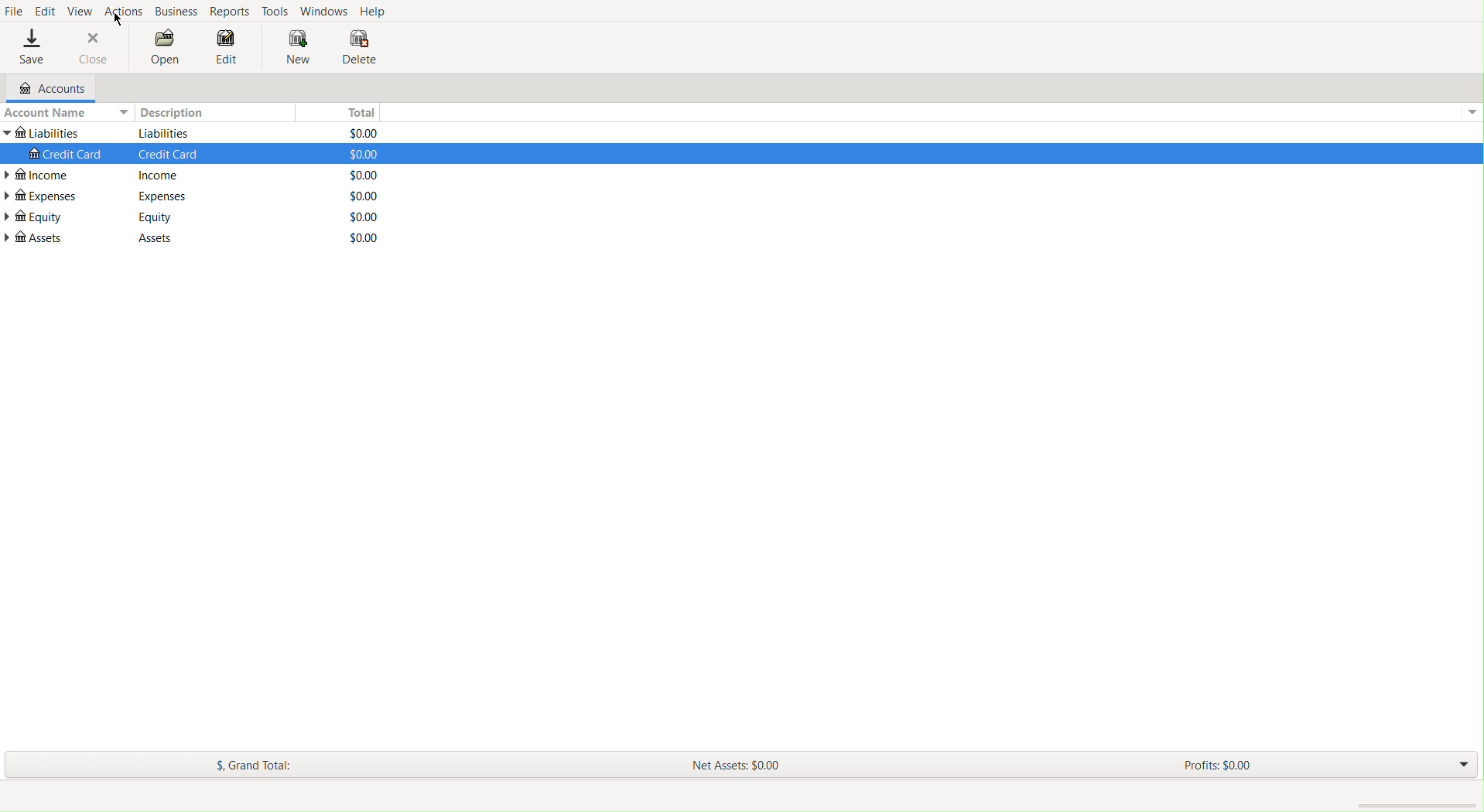 The image size is (1484, 812). I want to click on Business, so click(174, 12).